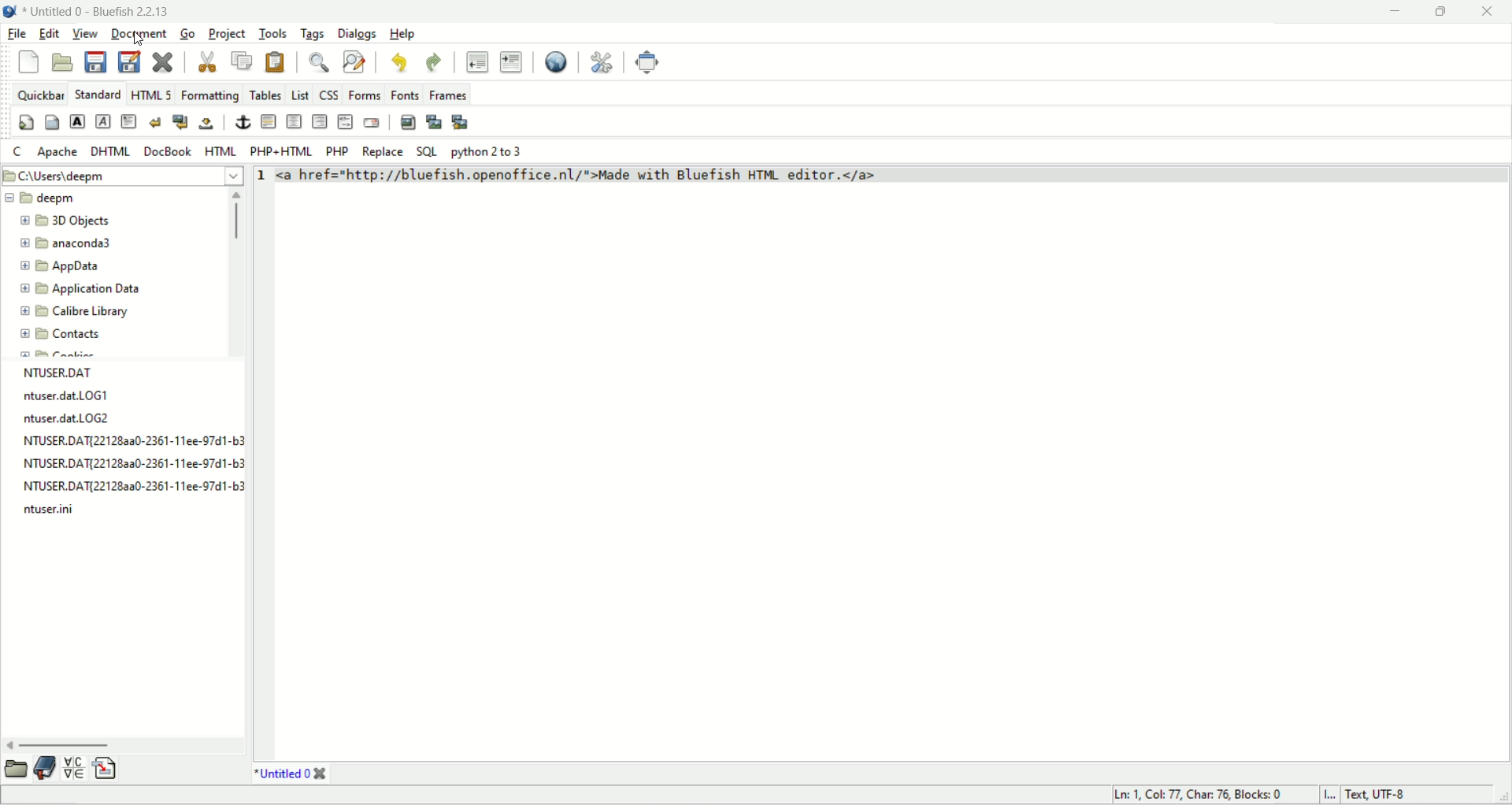 Image resolution: width=1512 pixels, height=805 pixels. I want to click on ln, col, char, blocks, so click(1193, 795).